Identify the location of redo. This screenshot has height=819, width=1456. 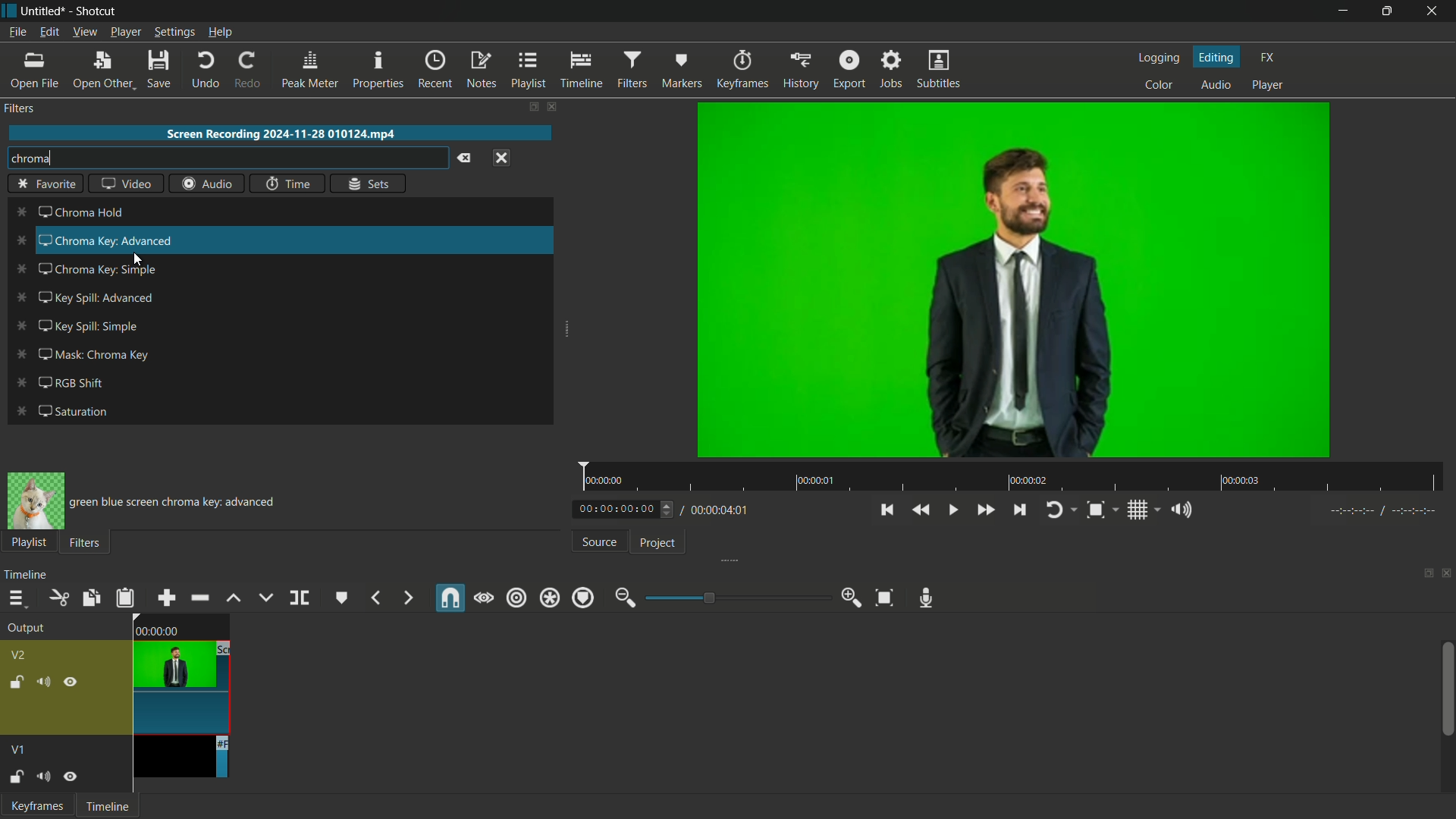
(245, 70).